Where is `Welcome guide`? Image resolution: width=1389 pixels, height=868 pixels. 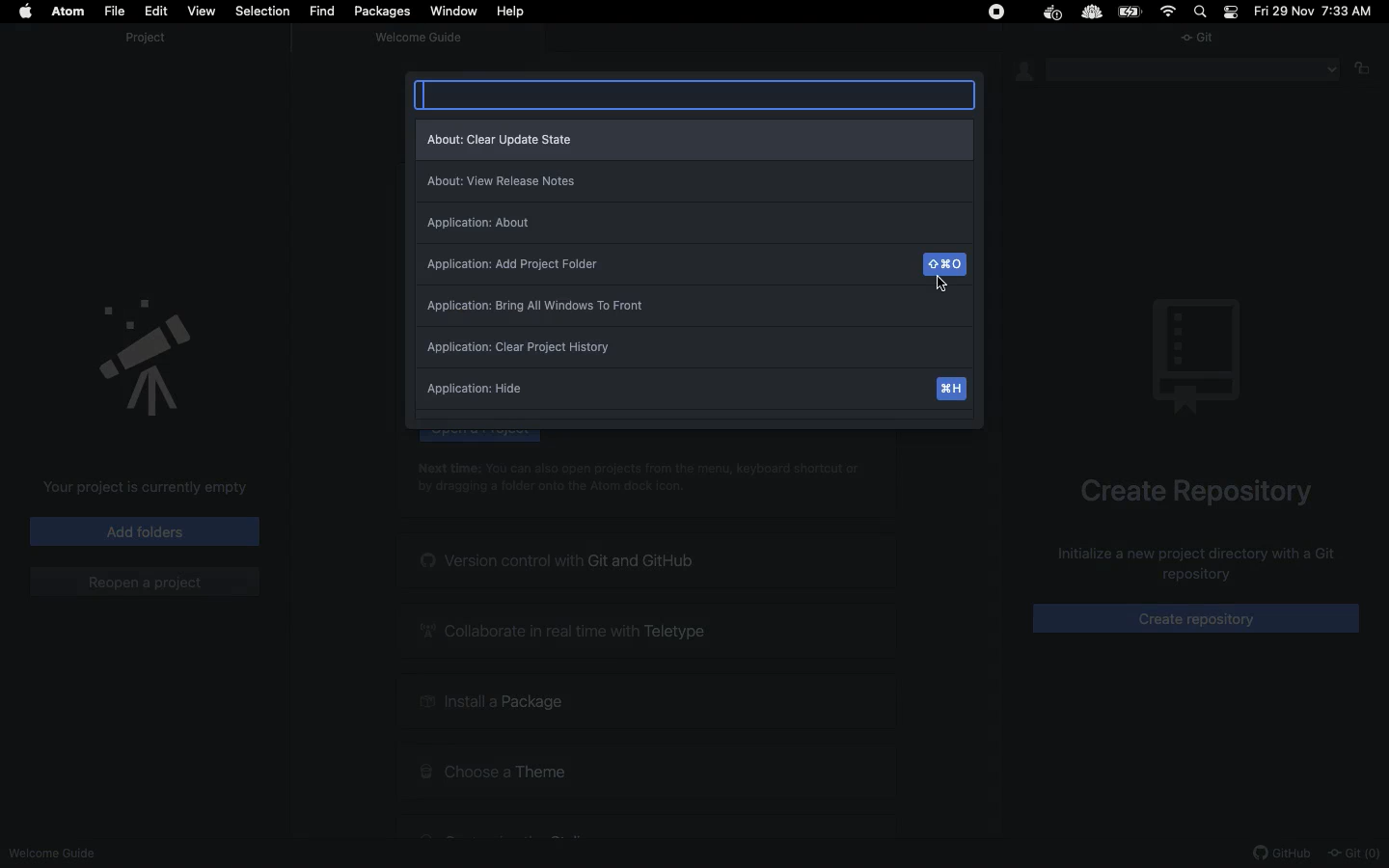 Welcome guide is located at coordinates (422, 40).